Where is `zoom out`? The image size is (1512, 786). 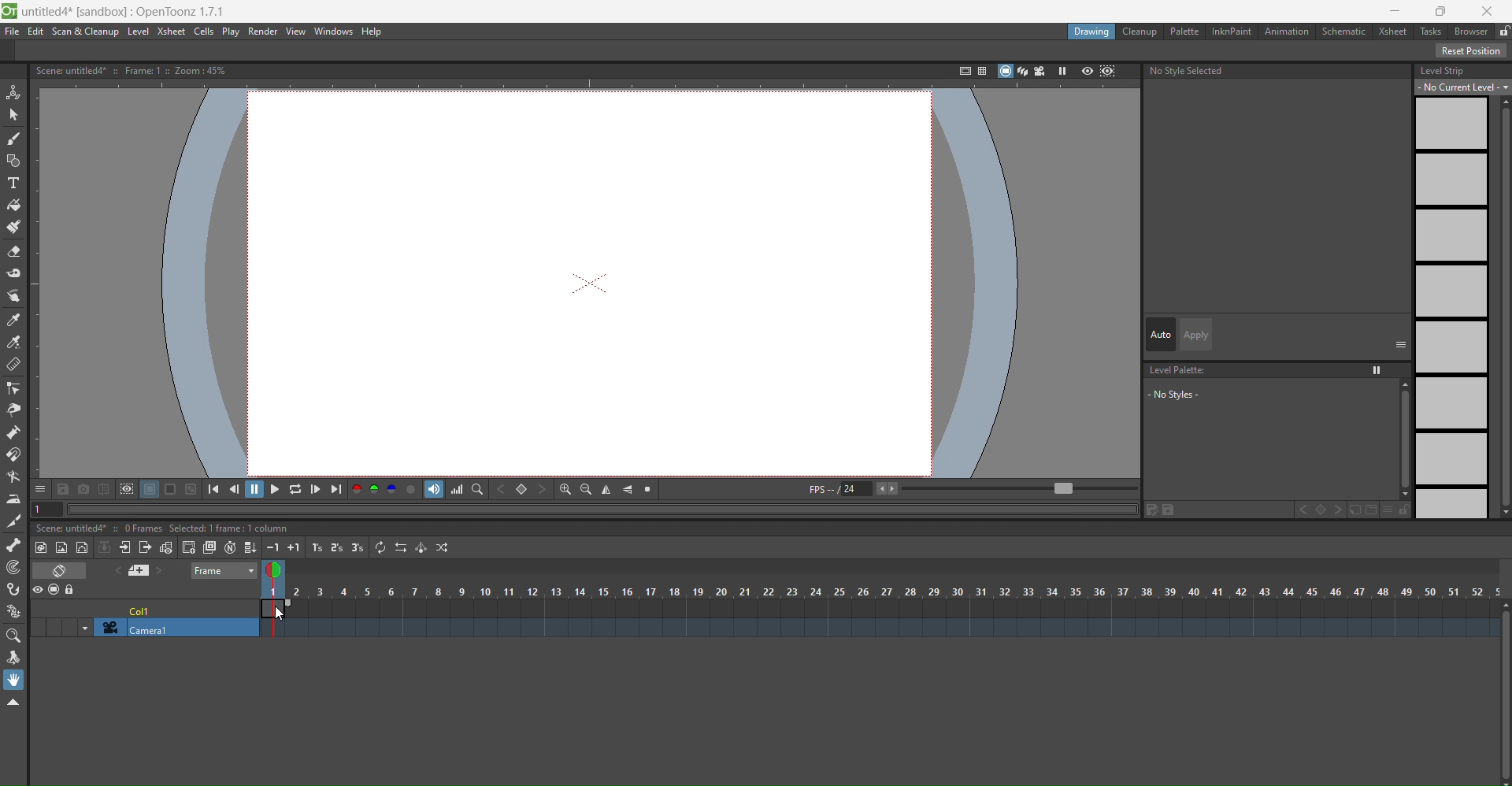
zoom out is located at coordinates (586, 489).